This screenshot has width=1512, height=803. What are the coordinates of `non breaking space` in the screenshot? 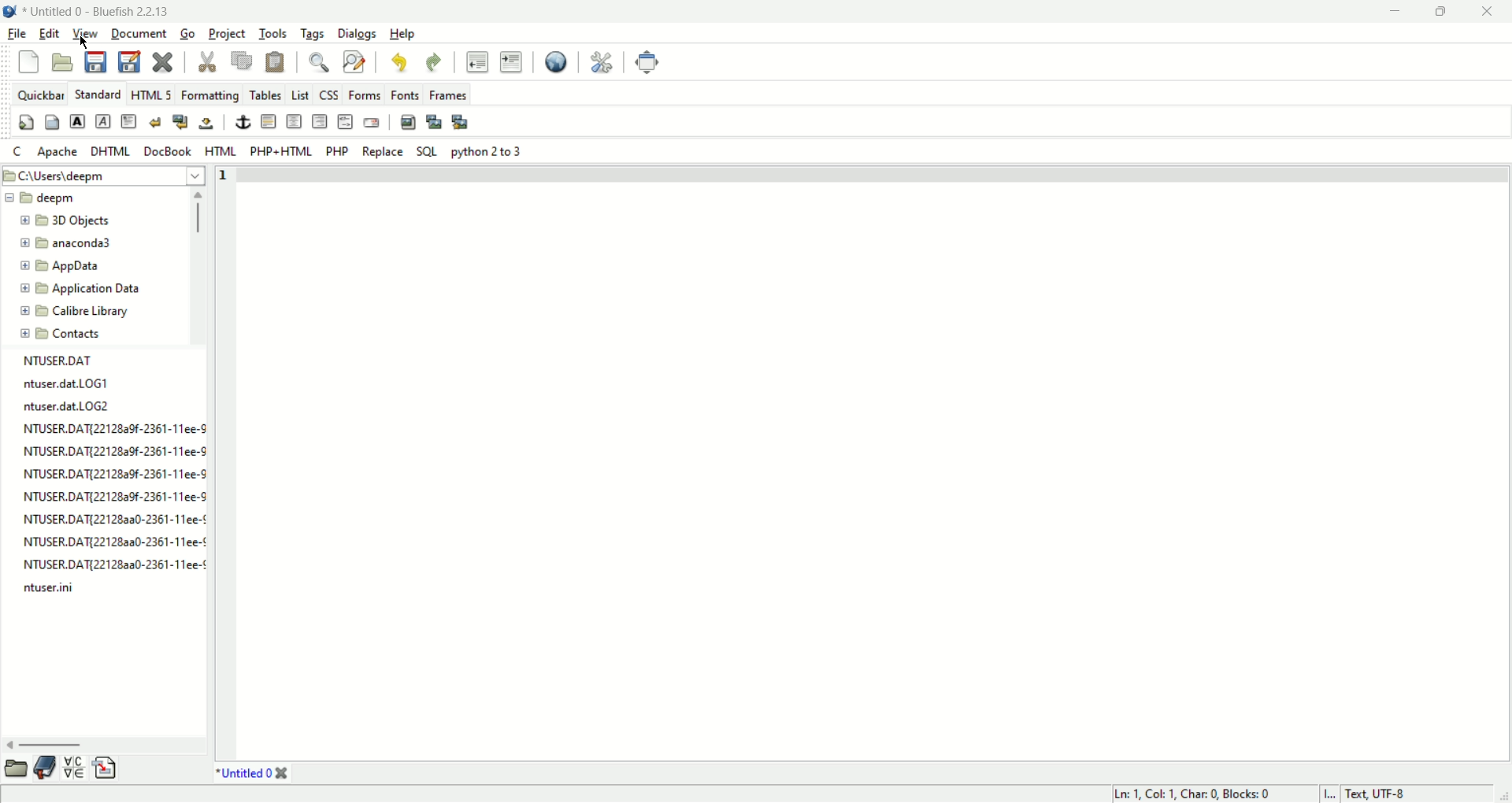 It's located at (205, 123).